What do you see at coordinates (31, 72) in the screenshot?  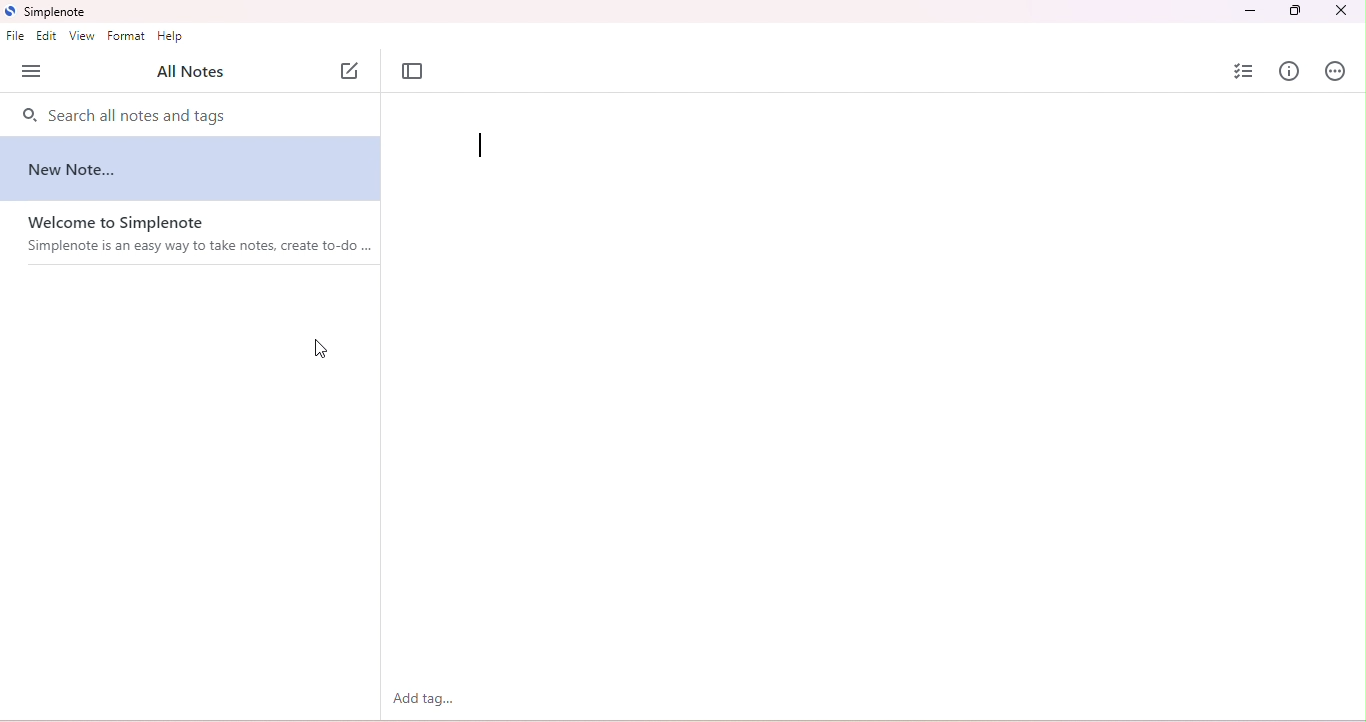 I see `open side bar` at bounding box center [31, 72].